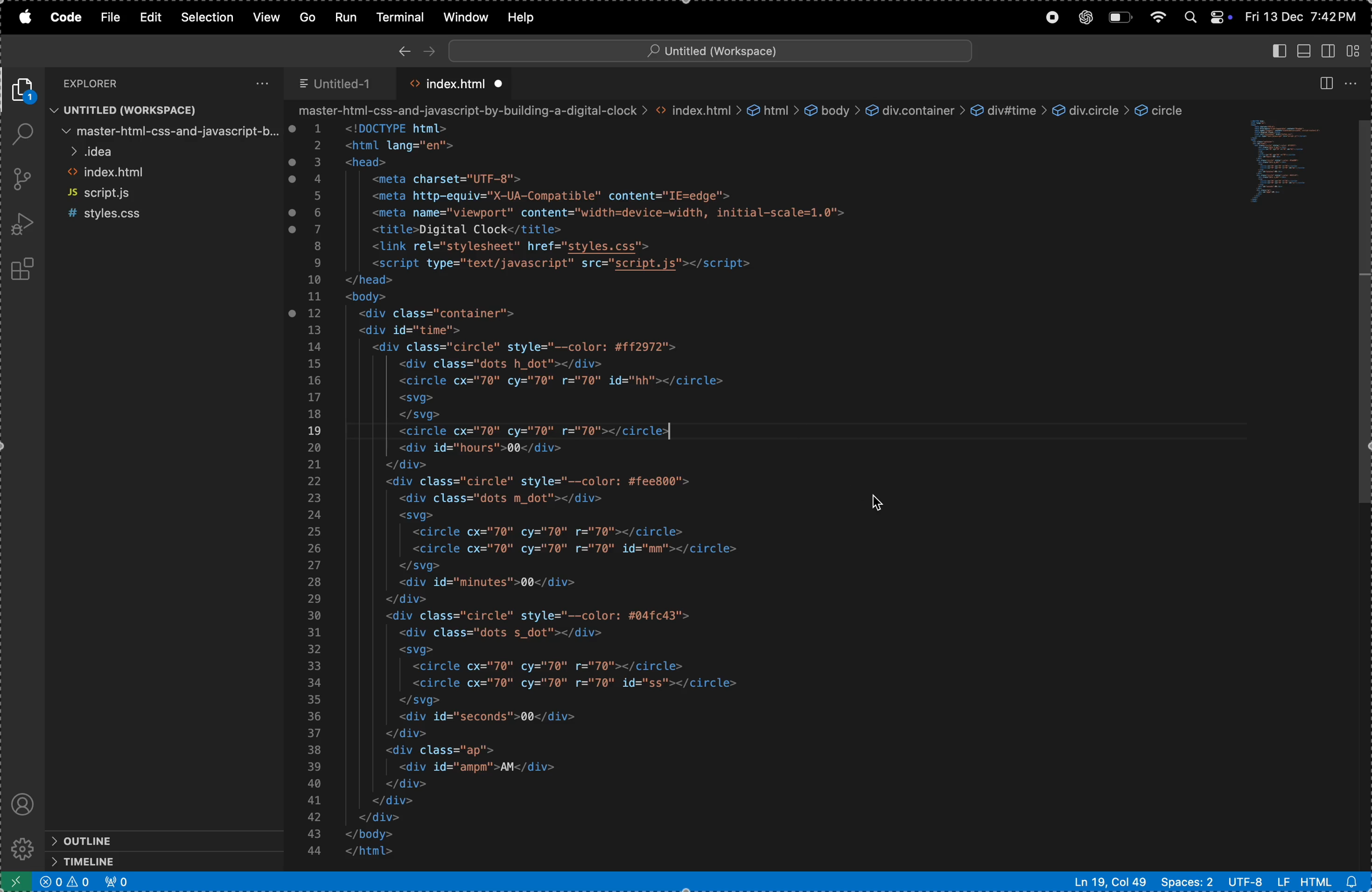 Image resolution: width=1372 pixels, height=892 pixels. I want to click on Explorer, so click(107, 82).